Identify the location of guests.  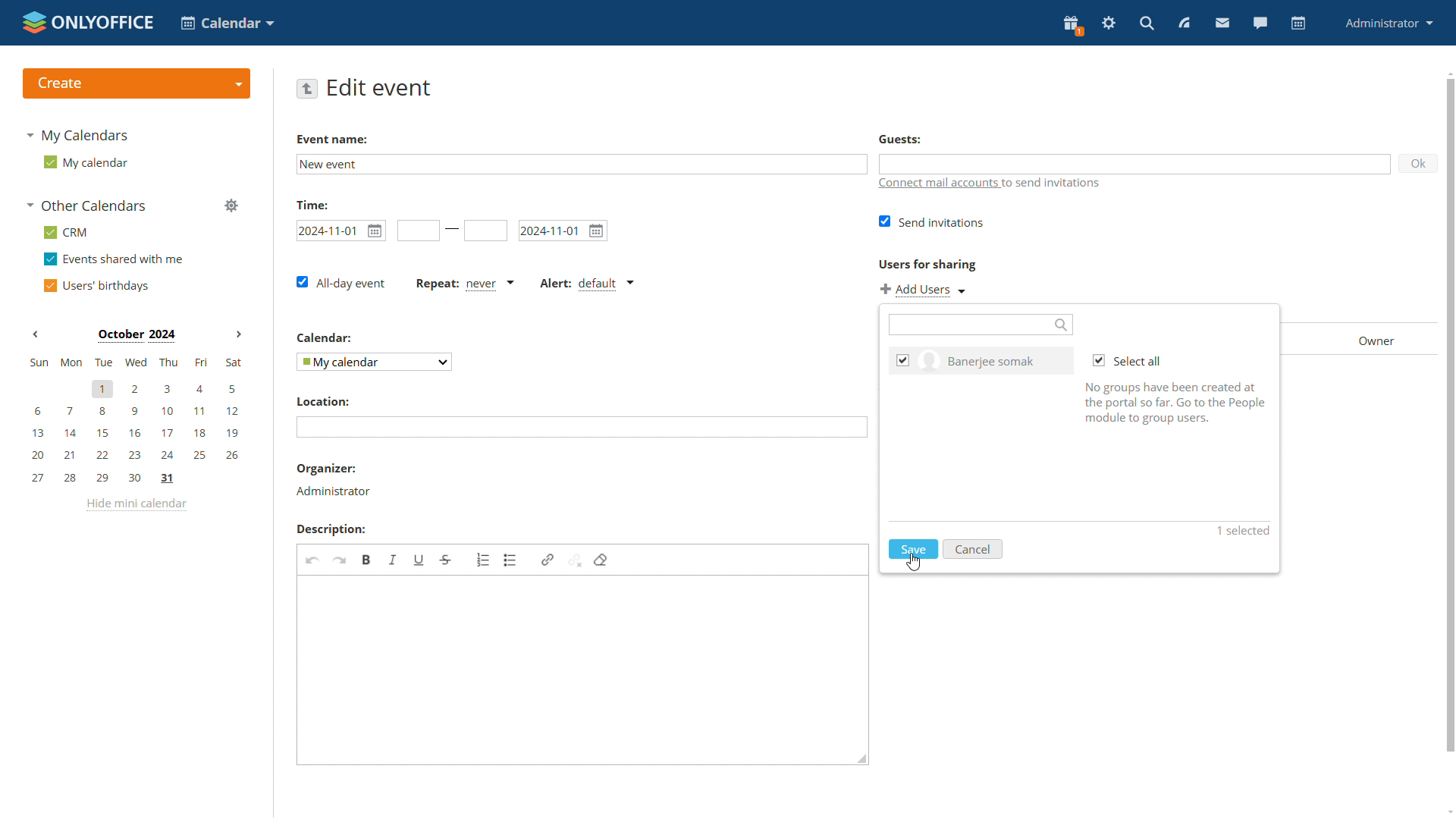
(1135, 164).